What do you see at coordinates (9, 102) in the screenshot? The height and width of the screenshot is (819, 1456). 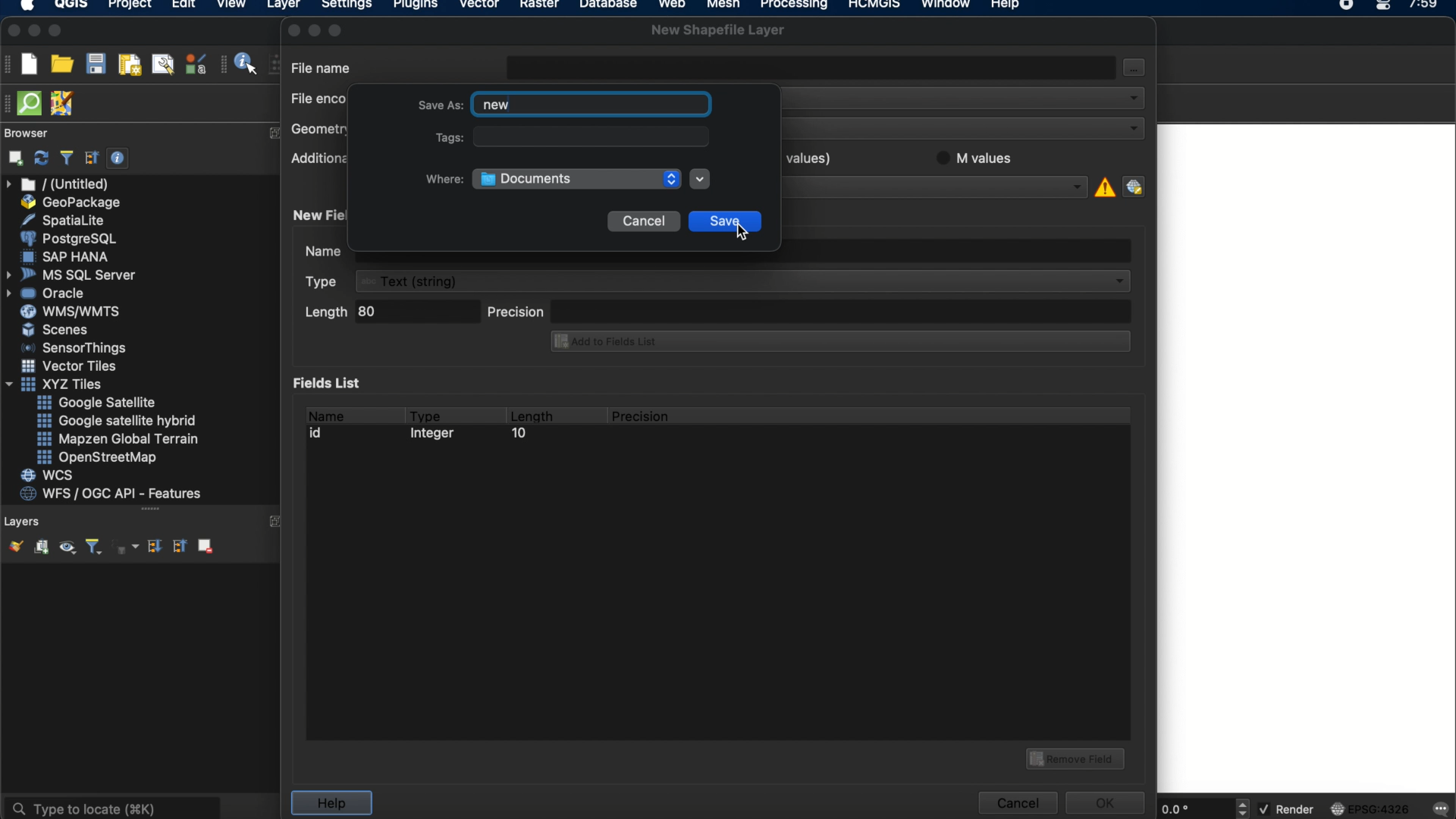 I see `hidden toolbar` at bounding box center [9, 102].